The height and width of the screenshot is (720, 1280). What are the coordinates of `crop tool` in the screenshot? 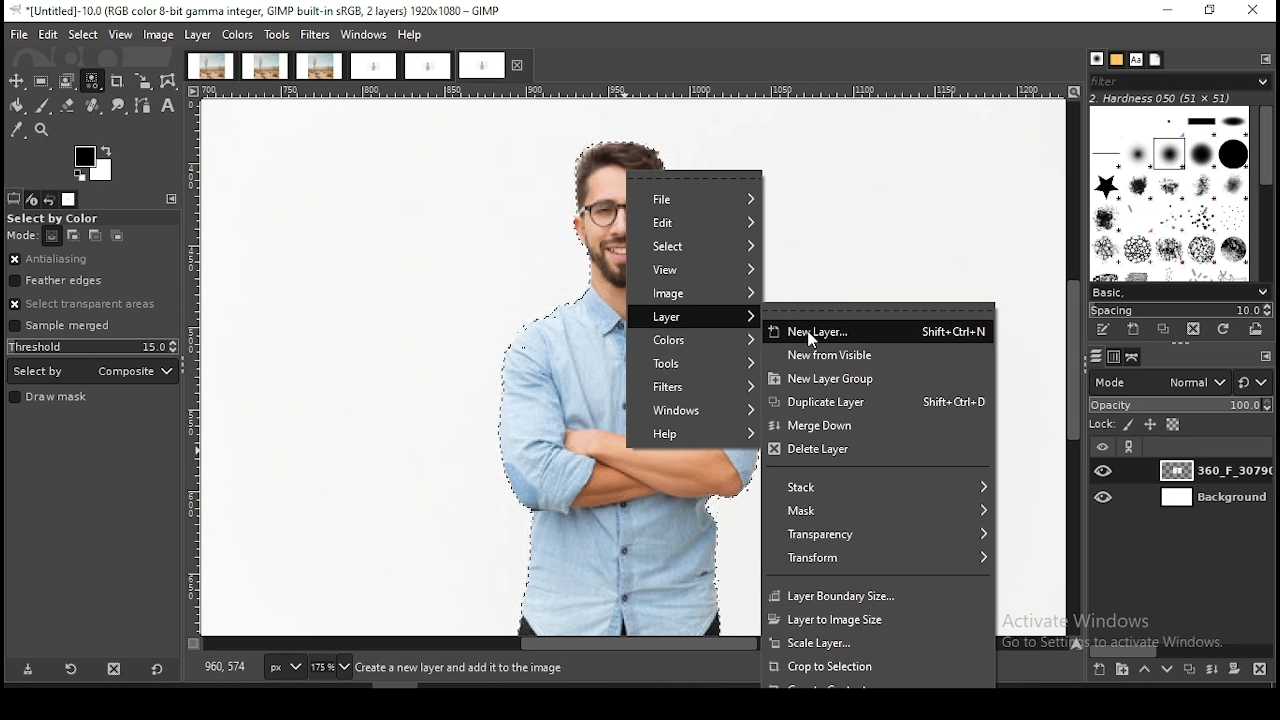 It's located at (117, 83).